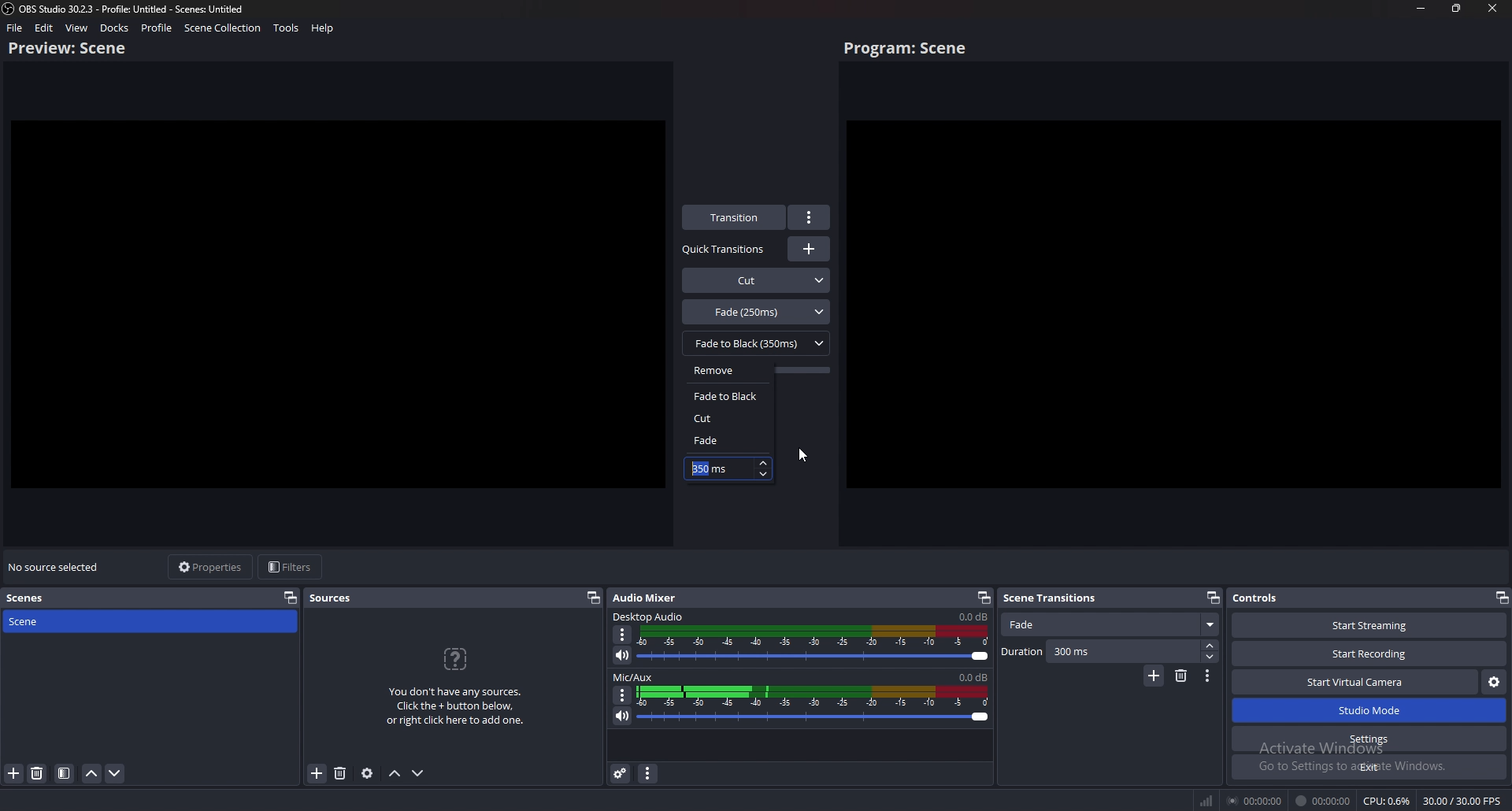 Image resolution: width=1512 pixels, height=811 pixels. I want to click on program scene, so click(909, 49).